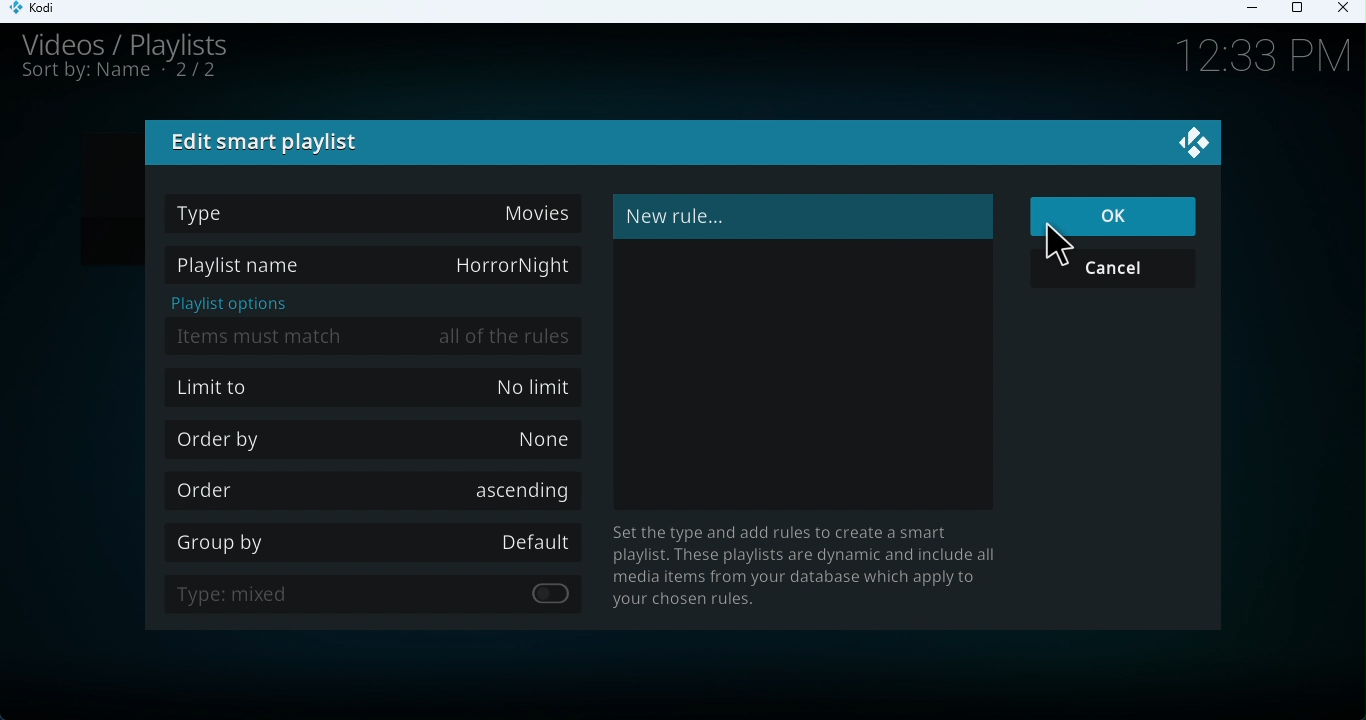 The width and height of the screenshot is (1366, 720). Describe the element at coordinates (1346, 12) in the screenshot. I see `Close` at that location.